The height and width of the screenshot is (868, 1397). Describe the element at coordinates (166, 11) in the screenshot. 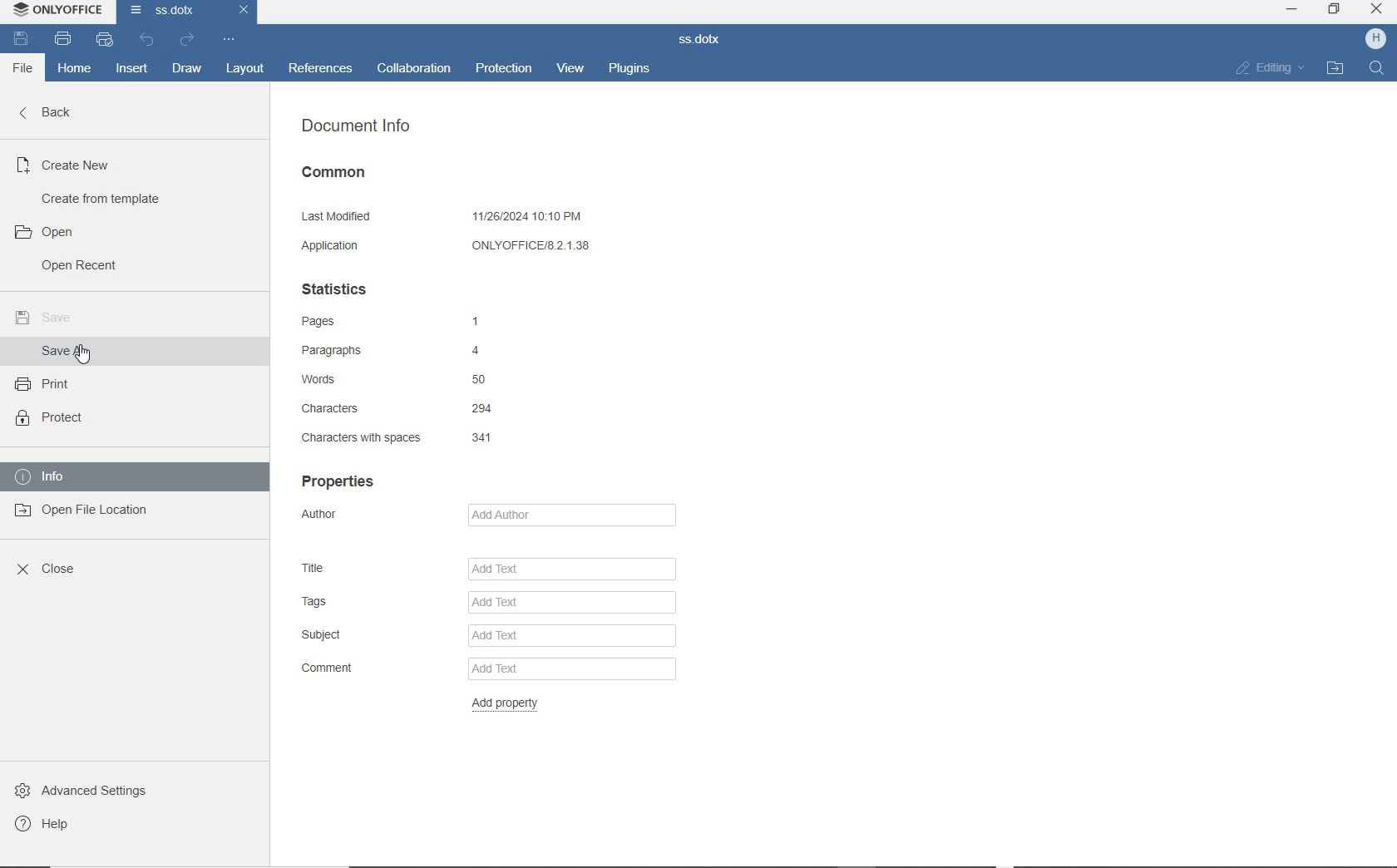

I see `DOCUMENT NAME` at that location.